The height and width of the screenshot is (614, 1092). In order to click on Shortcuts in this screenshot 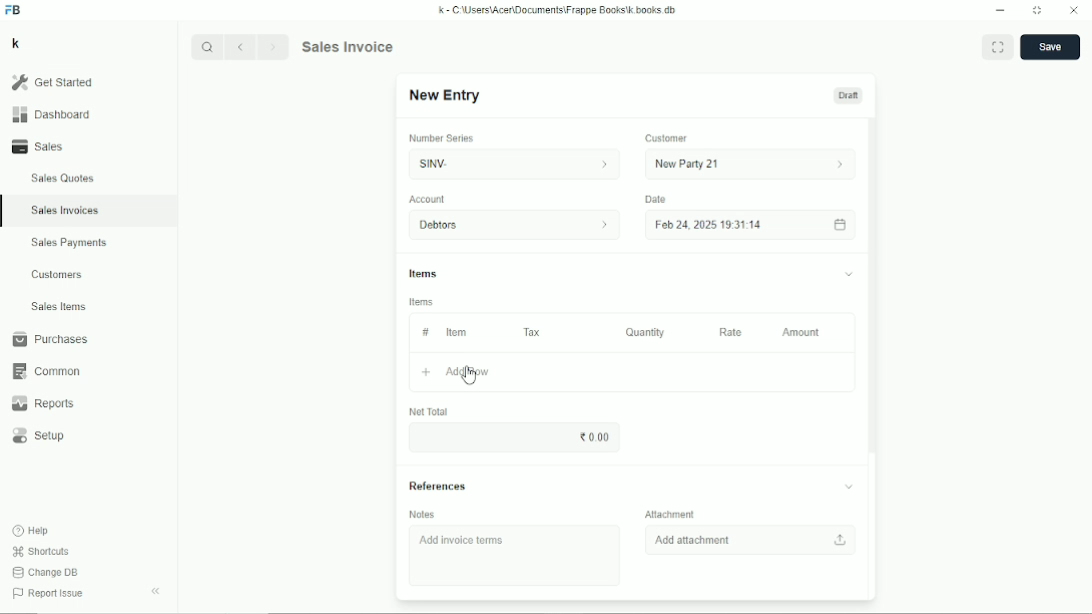, I will do `click(40, 551)`.